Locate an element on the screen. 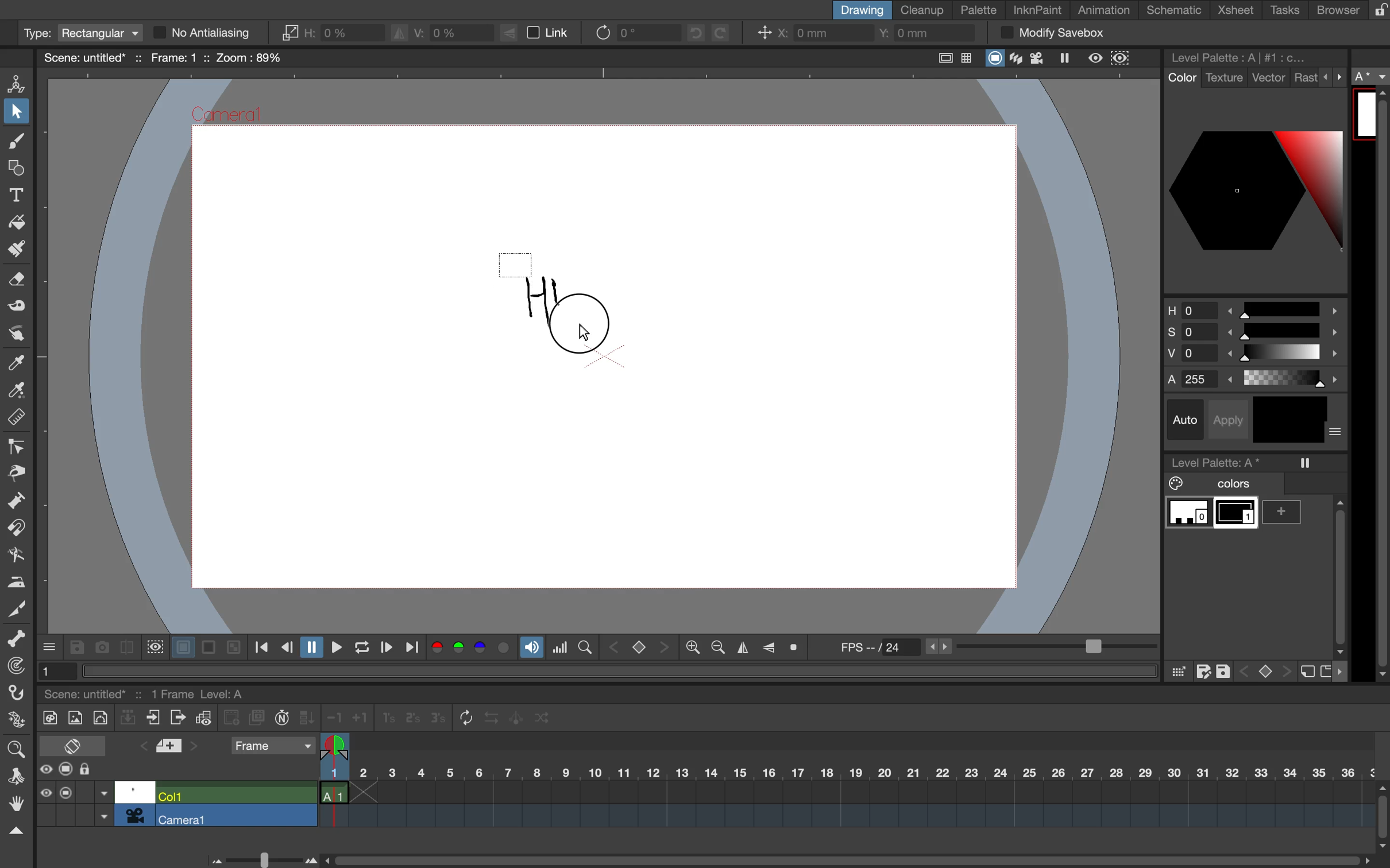 This screenshot has width=1390, height=868. brush tool is located at coordinates (14, 143).